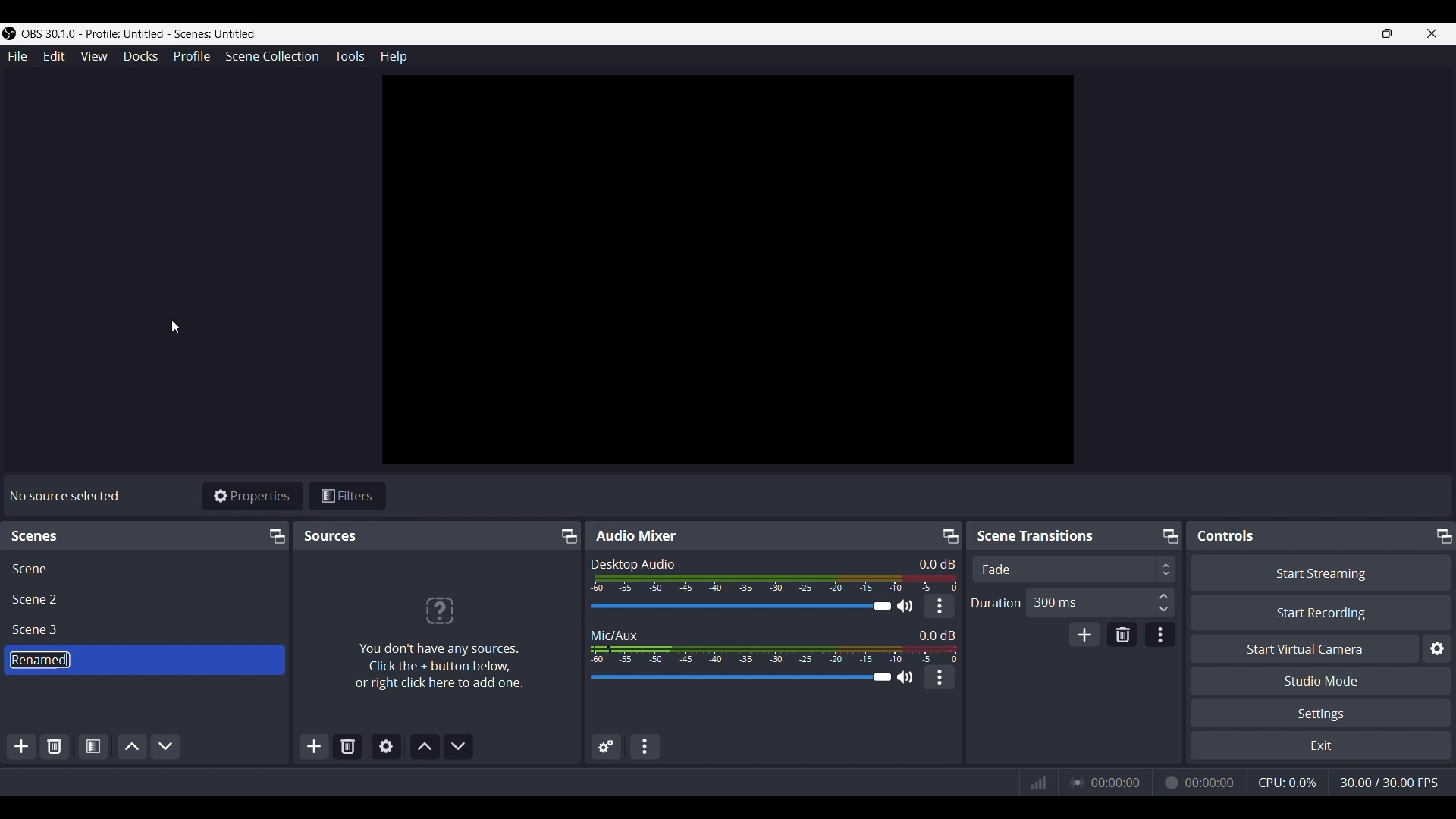 The height and width of the screenshot is (819, 1456). Describe the element at coordinates (606, 748) in the screenshot. I see `Advanced Audio Properties` at that location.